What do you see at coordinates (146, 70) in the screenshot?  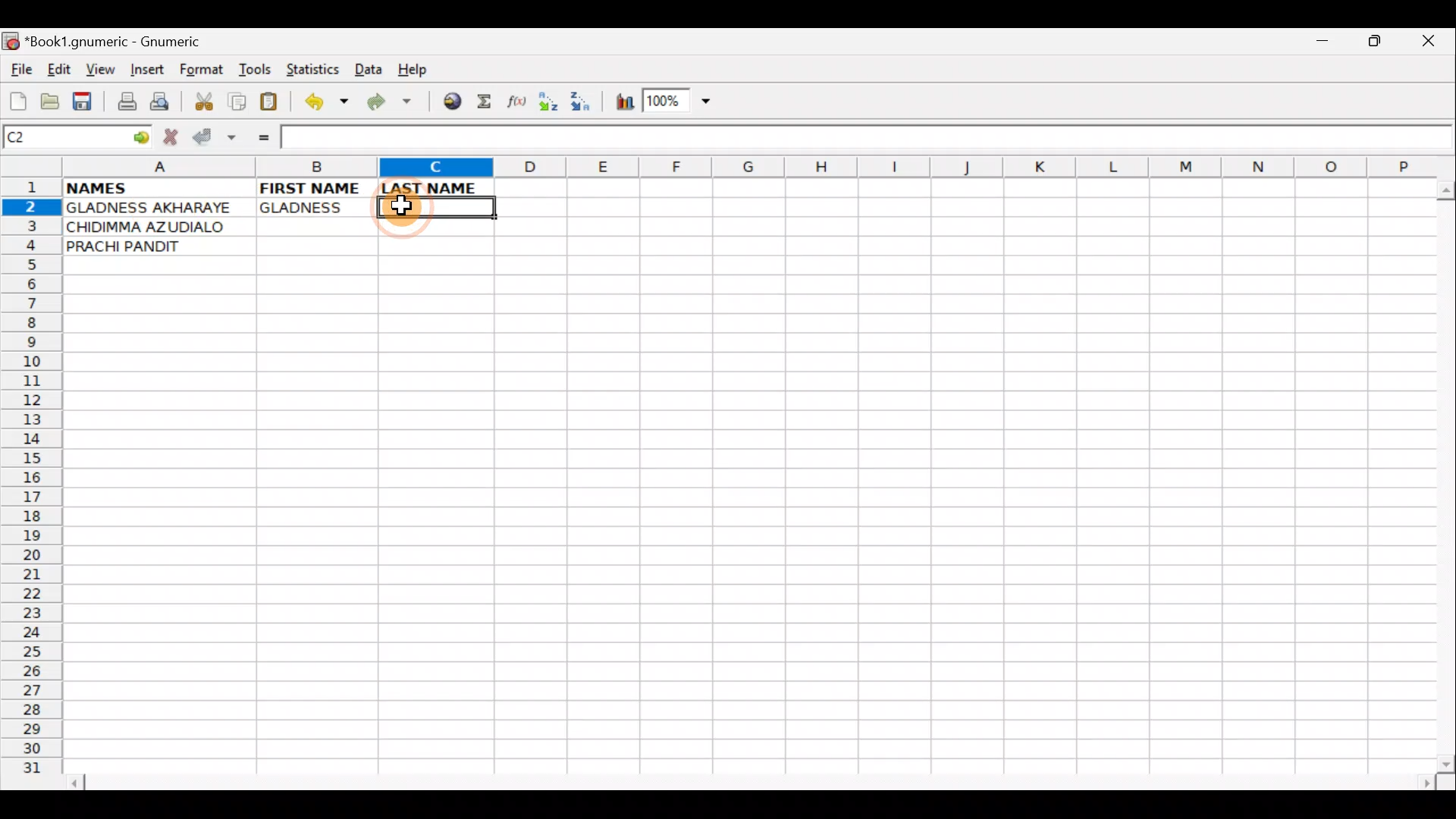 I see `Insert` at bounding box center [146, 70].